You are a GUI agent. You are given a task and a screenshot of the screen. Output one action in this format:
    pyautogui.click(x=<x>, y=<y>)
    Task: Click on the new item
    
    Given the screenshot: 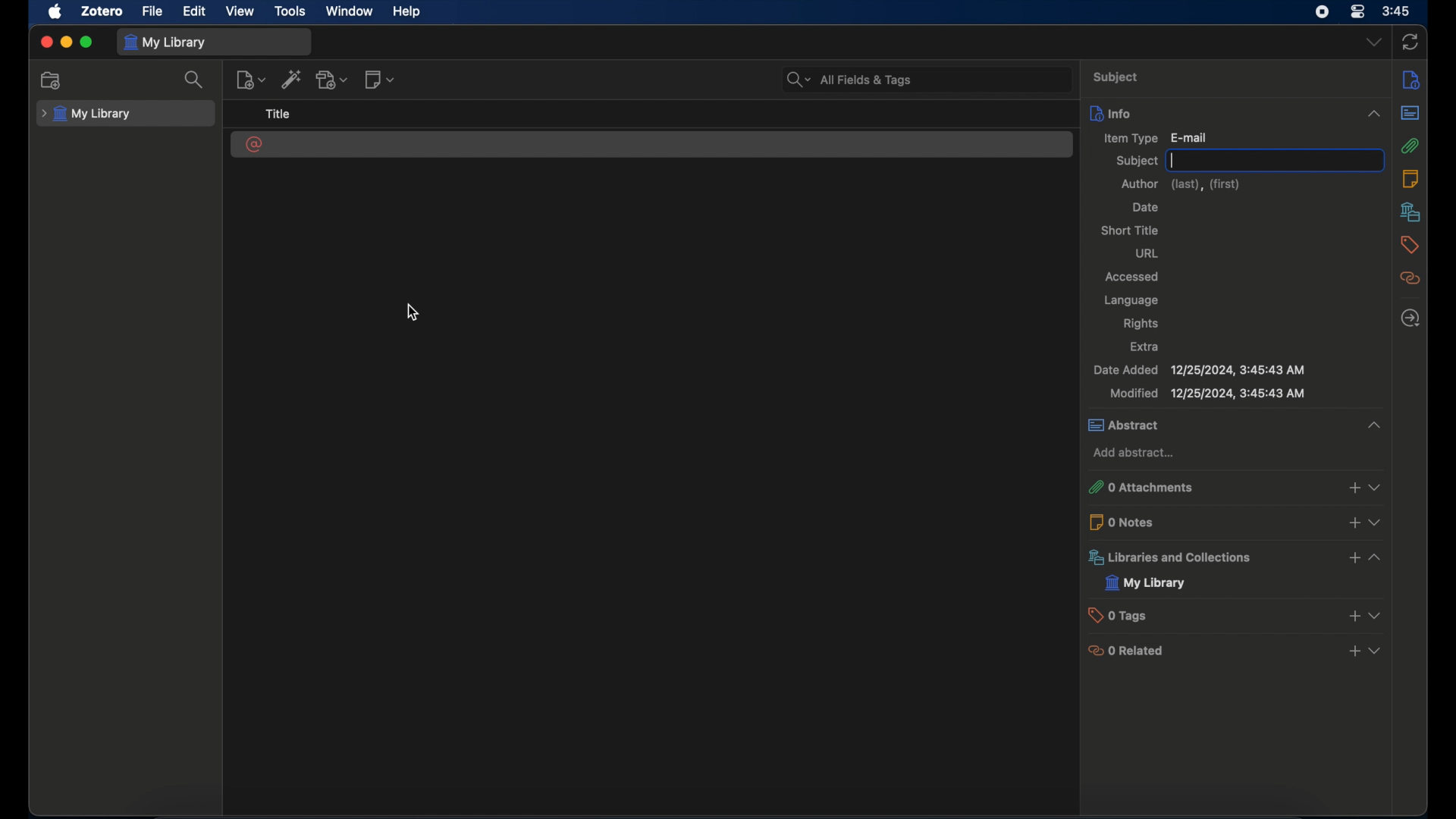 What is the action you would take?
    pyautogui.click(x=251, y=80)
    